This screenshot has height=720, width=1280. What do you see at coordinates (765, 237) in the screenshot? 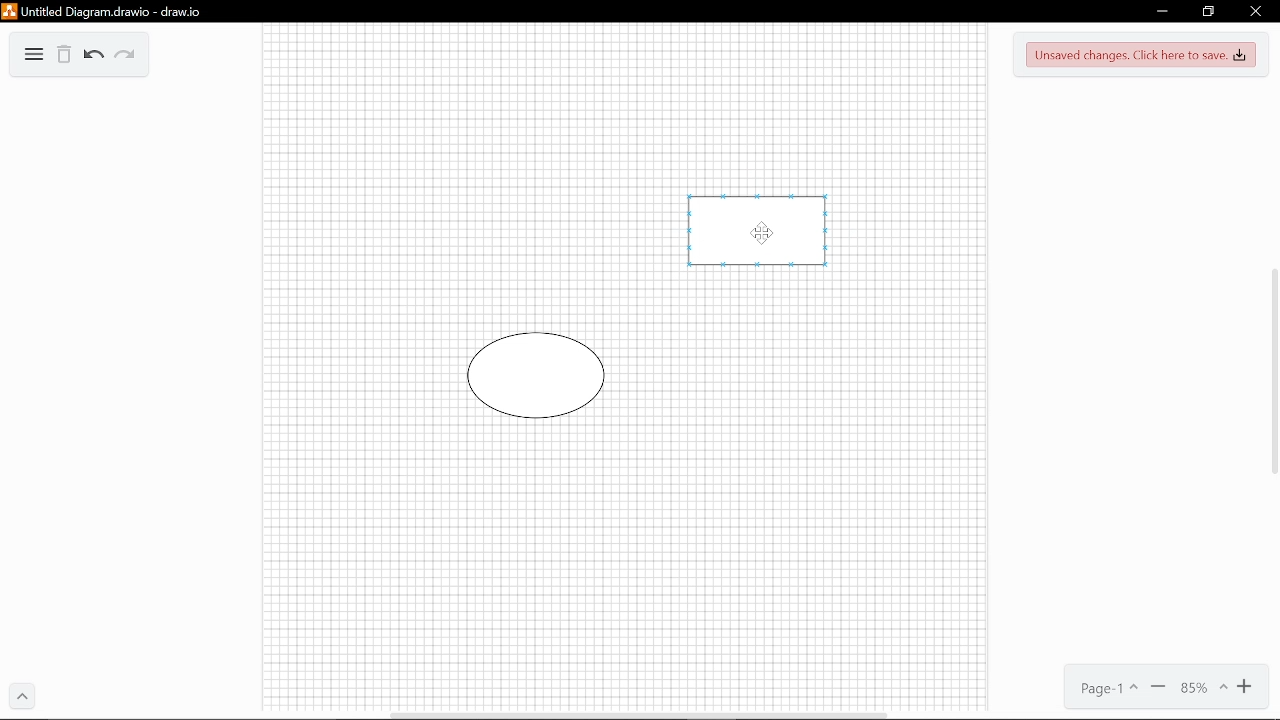
I see `Rectangle shape` at bounding box center [765, 237].